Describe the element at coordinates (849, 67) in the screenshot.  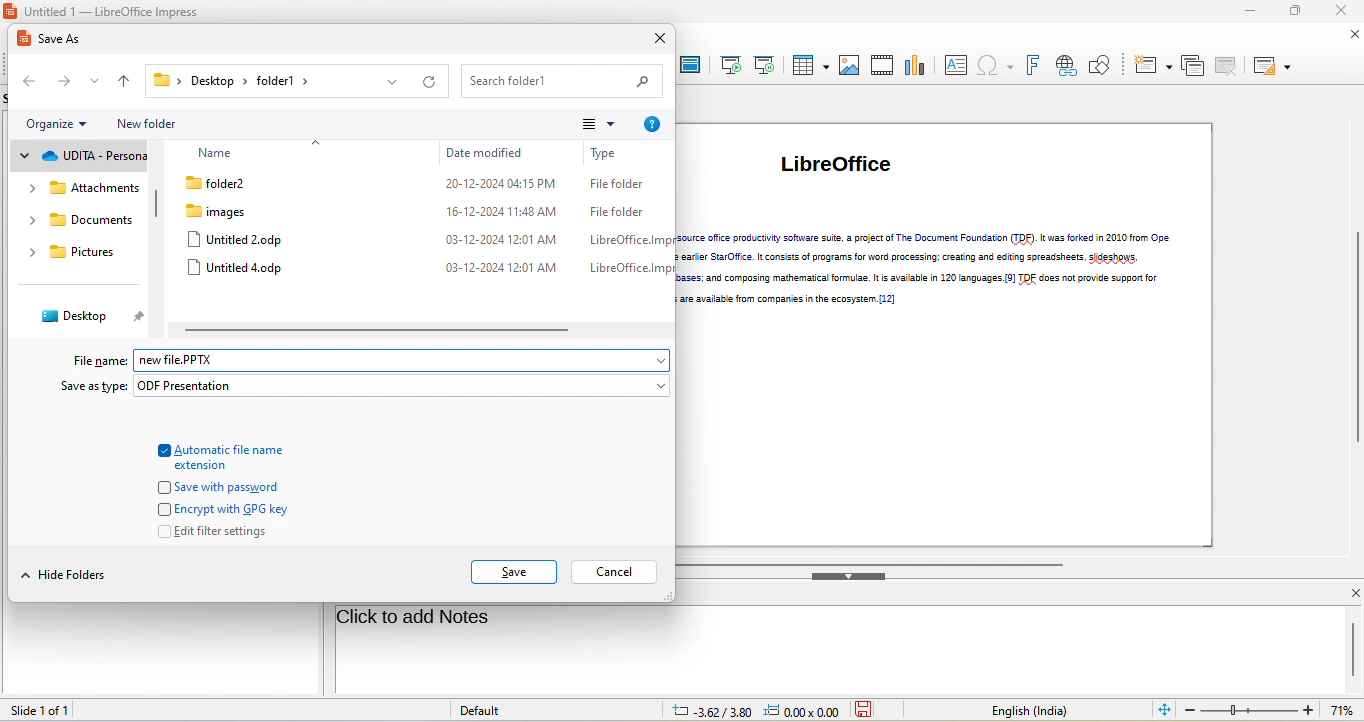
I see `image` at that location.